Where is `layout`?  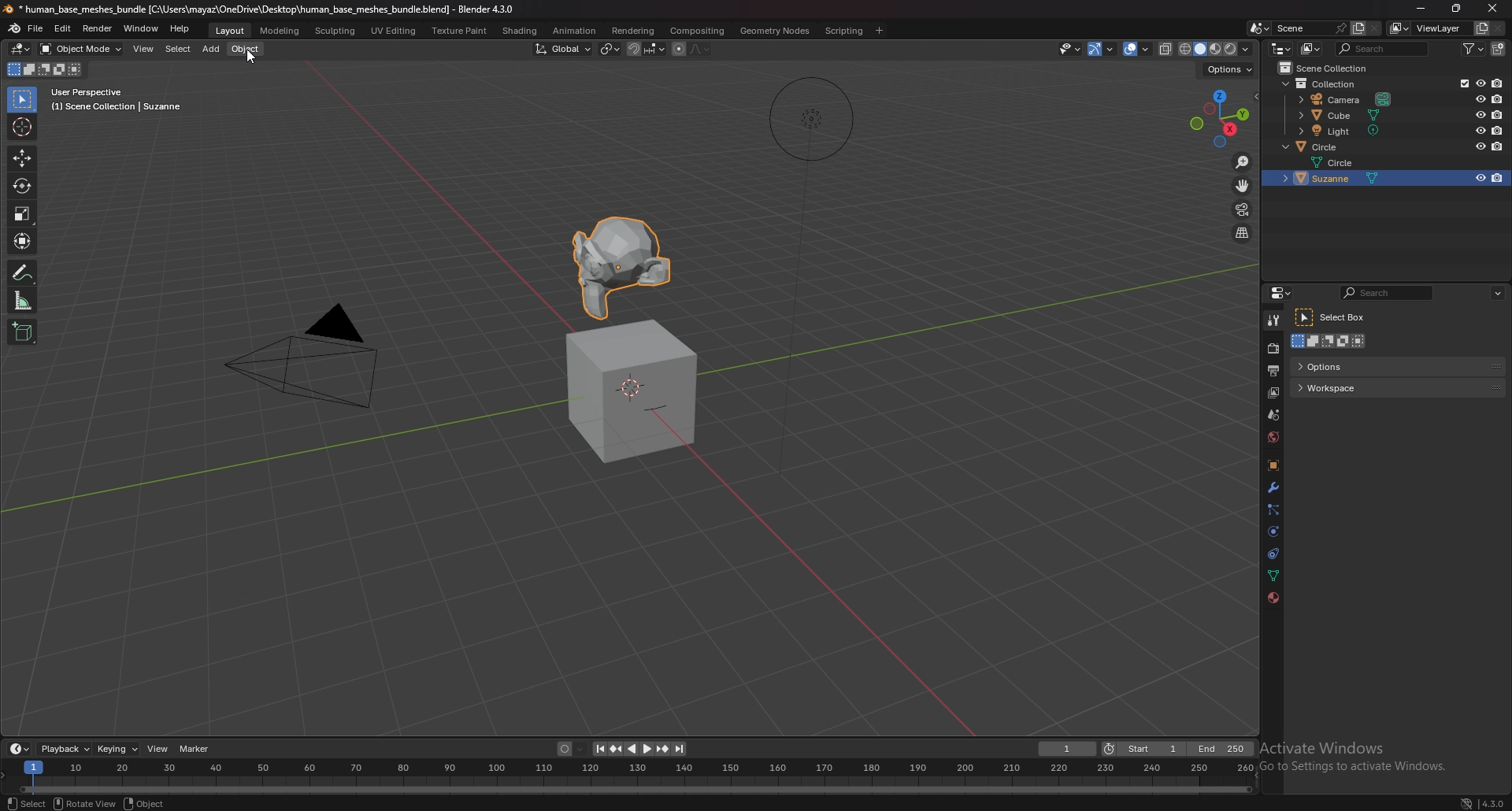
layout is located at coordinates (231, 30).